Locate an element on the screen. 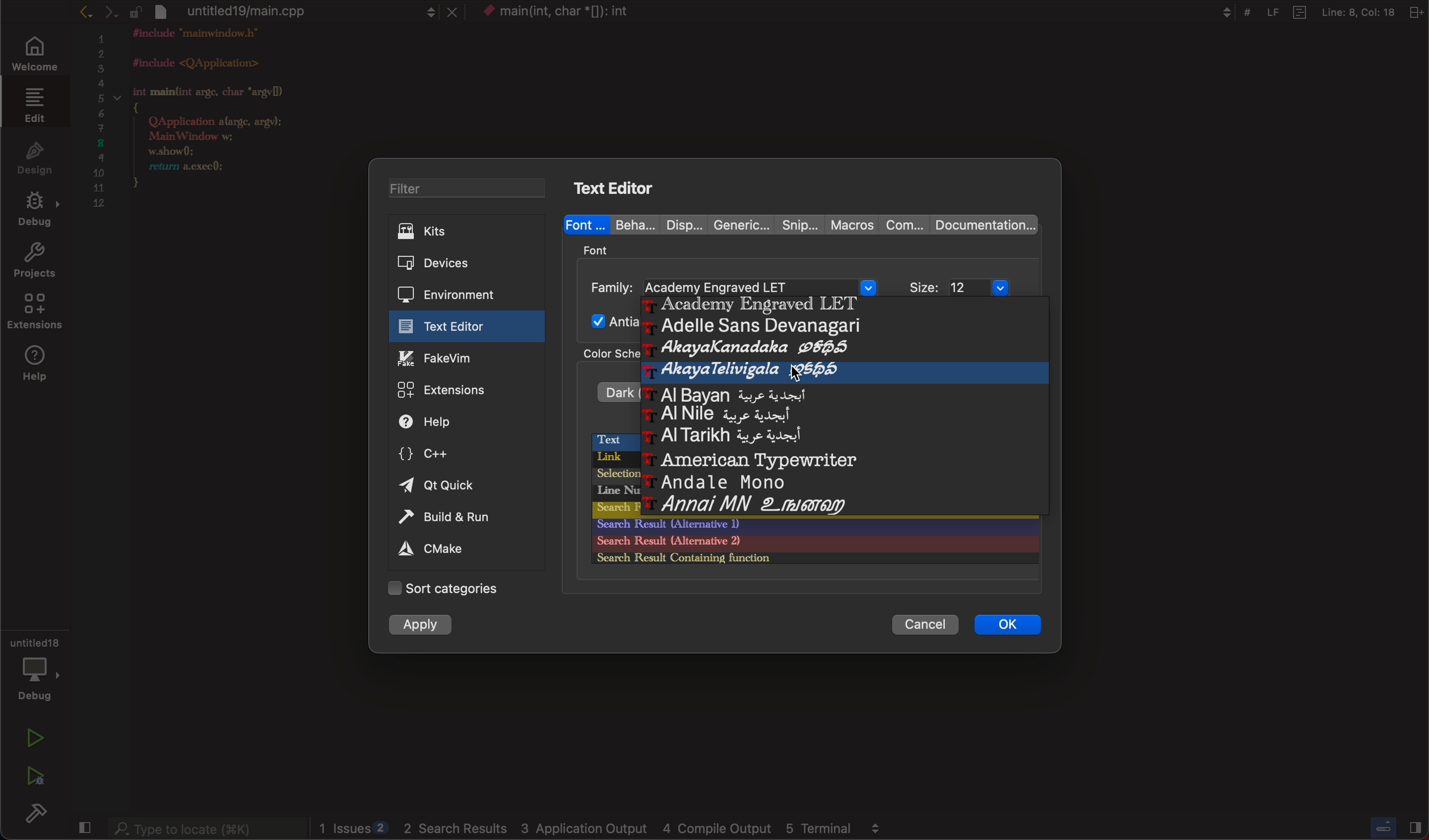 The image size is (1429, 840). cursor is located at coordinates (802, 376).